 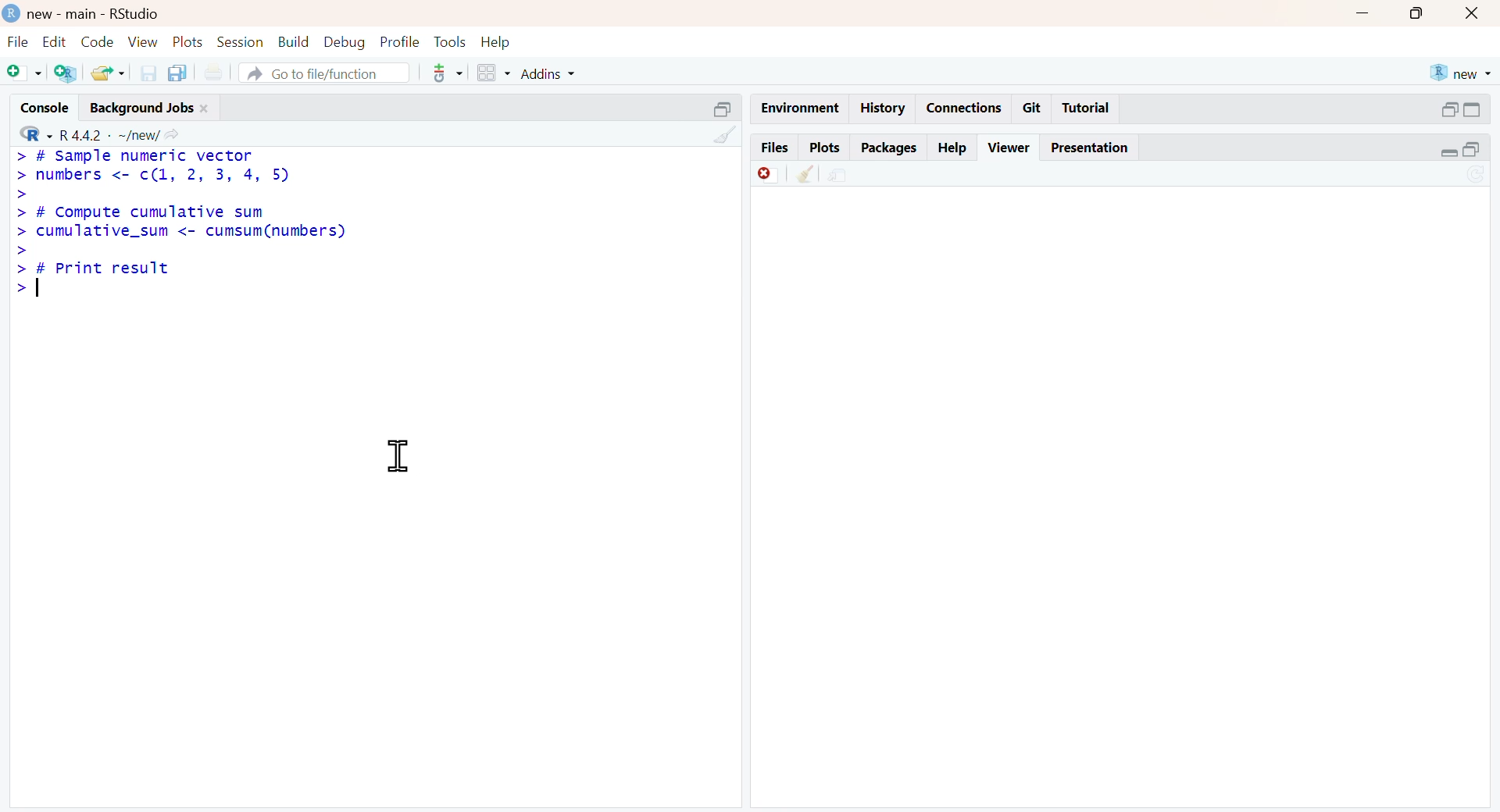 I want to click on edit, so click(x=54, y=41).